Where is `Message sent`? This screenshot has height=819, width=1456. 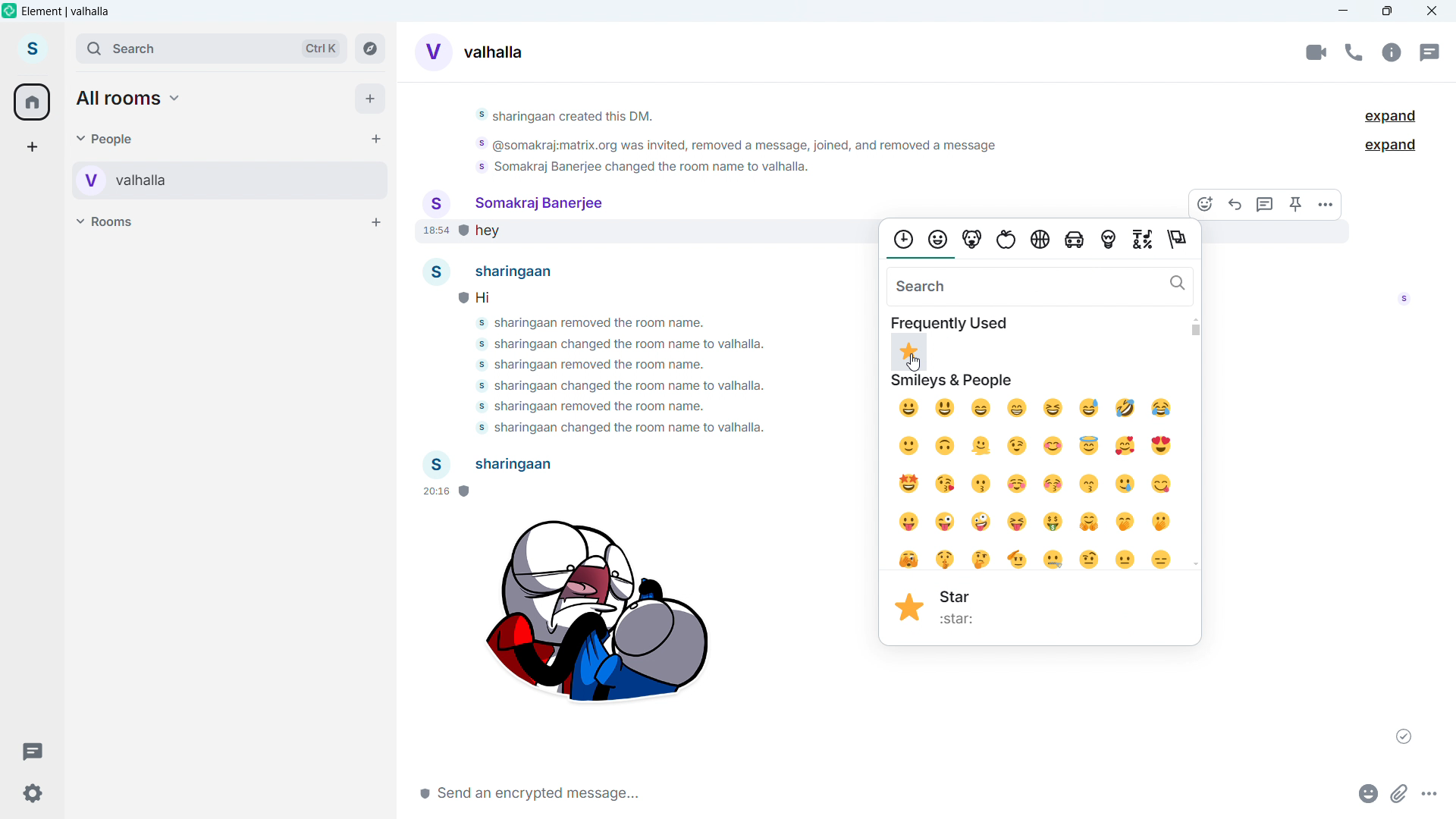 Message sent is located at coordinates (1404, 736).